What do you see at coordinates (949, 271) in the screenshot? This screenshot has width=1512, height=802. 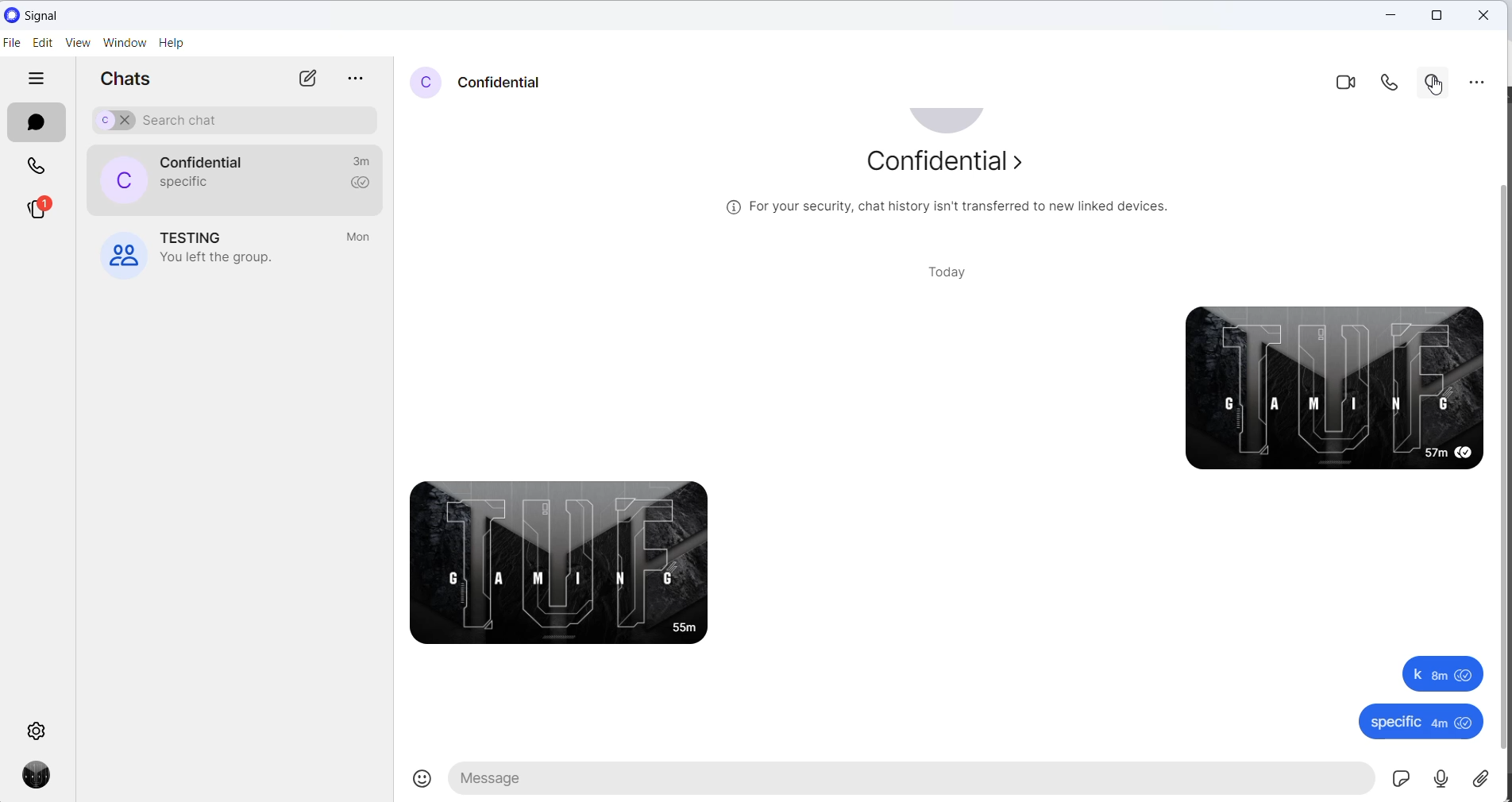 I see `today heading` at bounding box center [949, 271].